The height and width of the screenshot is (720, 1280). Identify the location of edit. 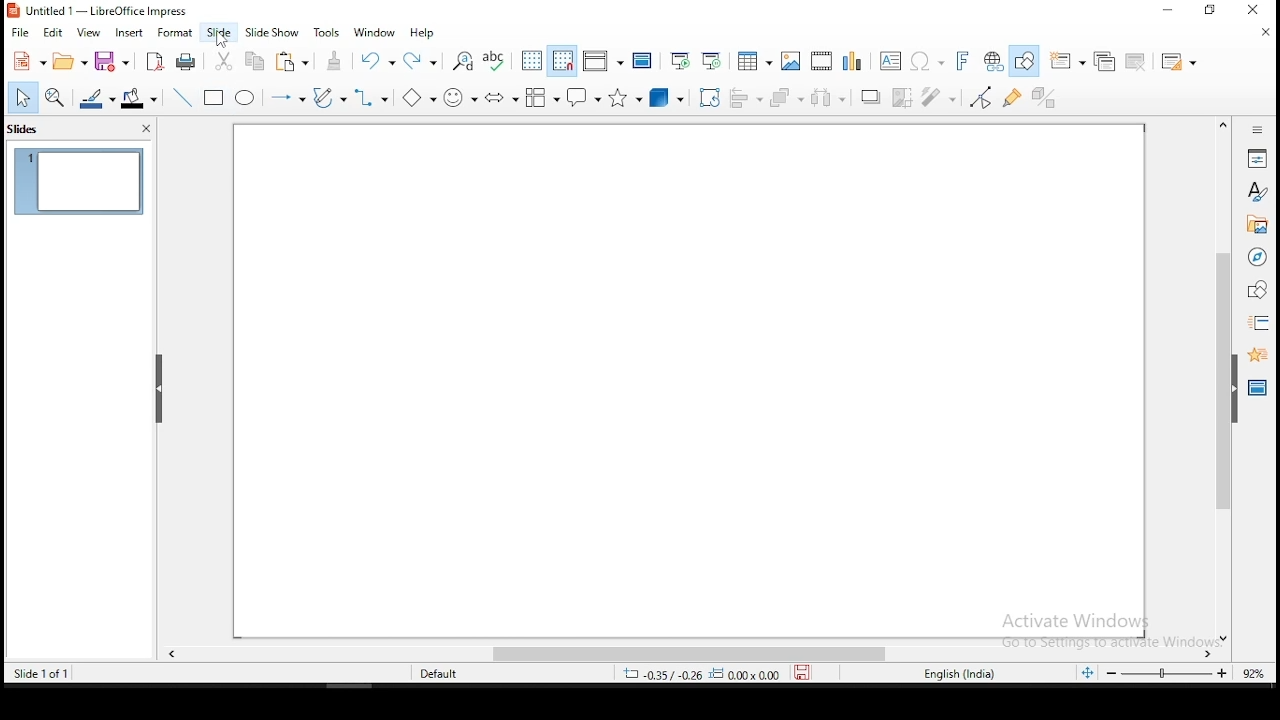
(53, 32).